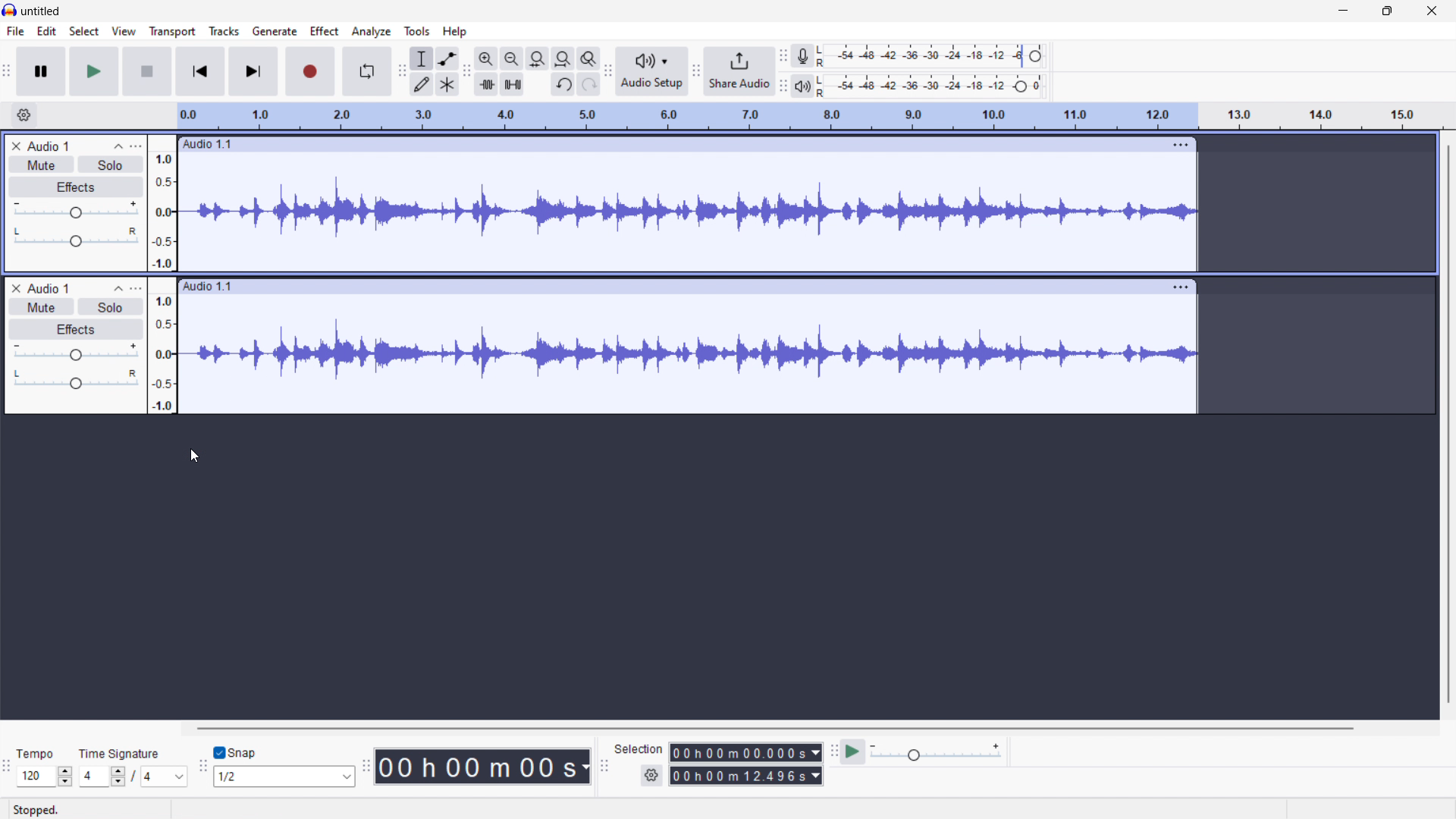 This screenshot has height=819, width=1456. I want to click on fit selection to width, so click(538, 58).